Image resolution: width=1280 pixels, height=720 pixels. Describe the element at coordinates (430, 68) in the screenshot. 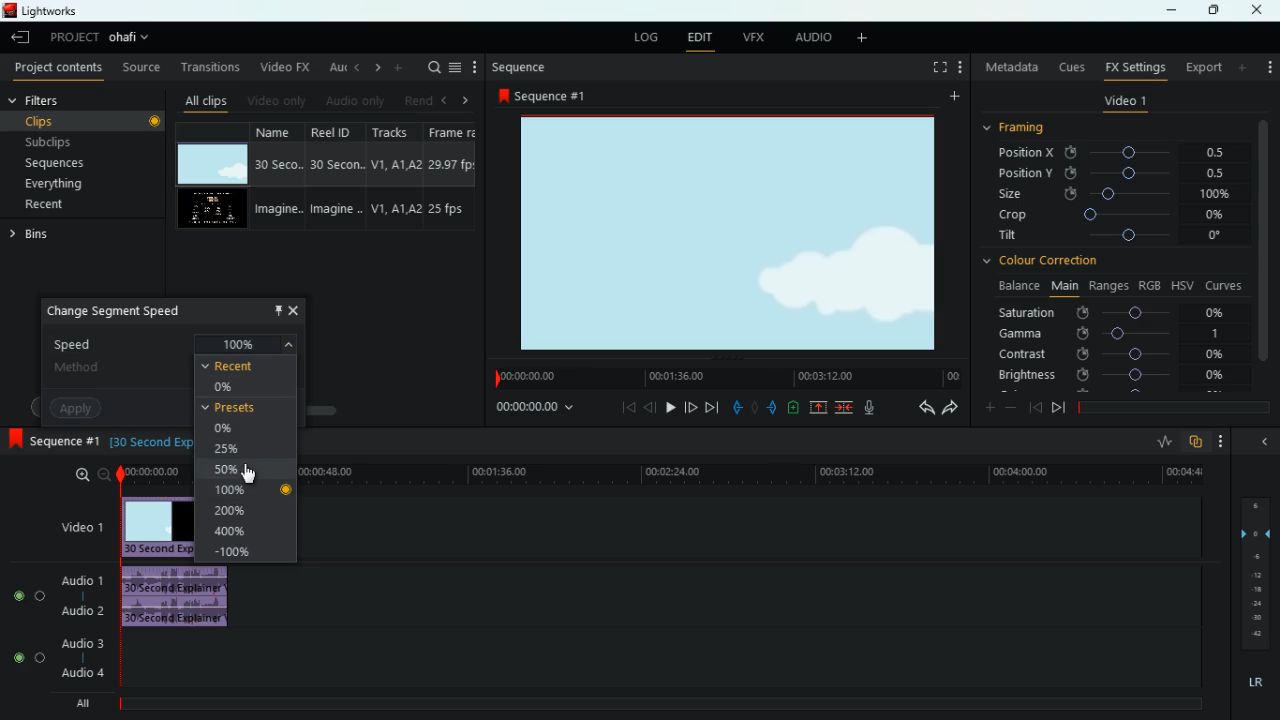

I see `search` at that location.